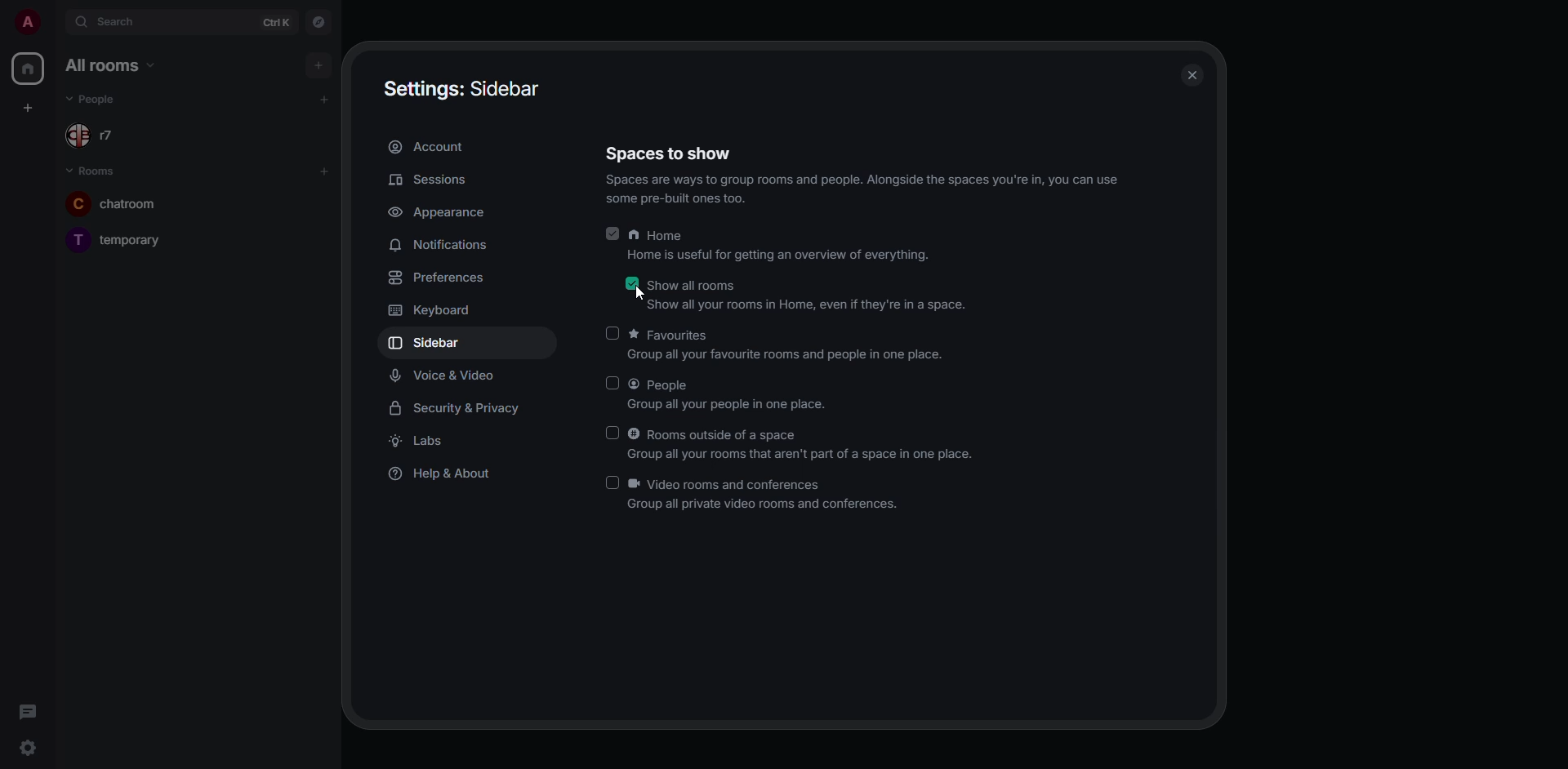 The width and height of the screenshot is (1568, 769). Describe the element at coordinates (446, 475) in the screenshot. I see `help & about` at that location.